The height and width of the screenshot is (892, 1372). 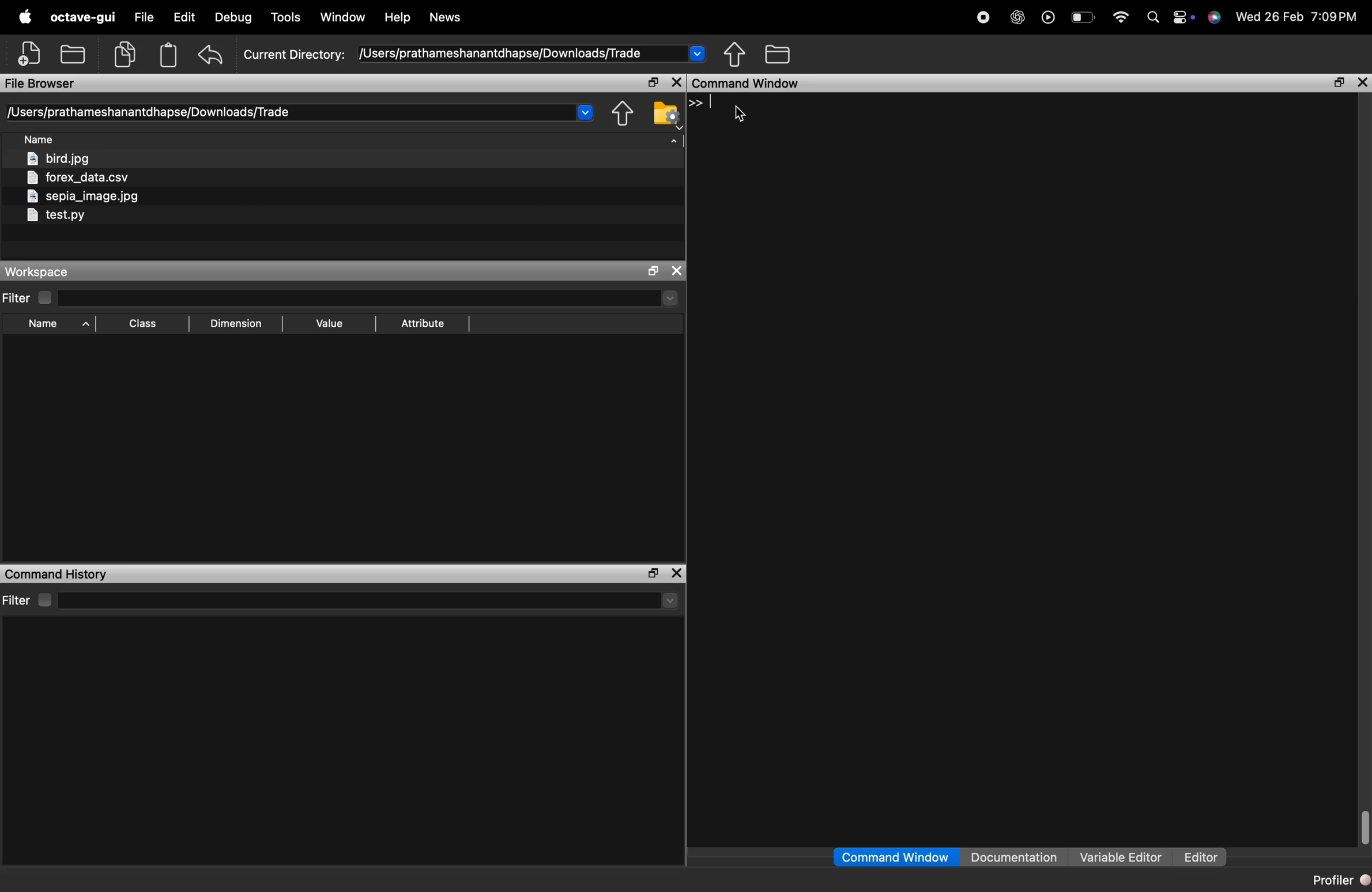 I want to click on sort by class, so click(x=146, y=324).